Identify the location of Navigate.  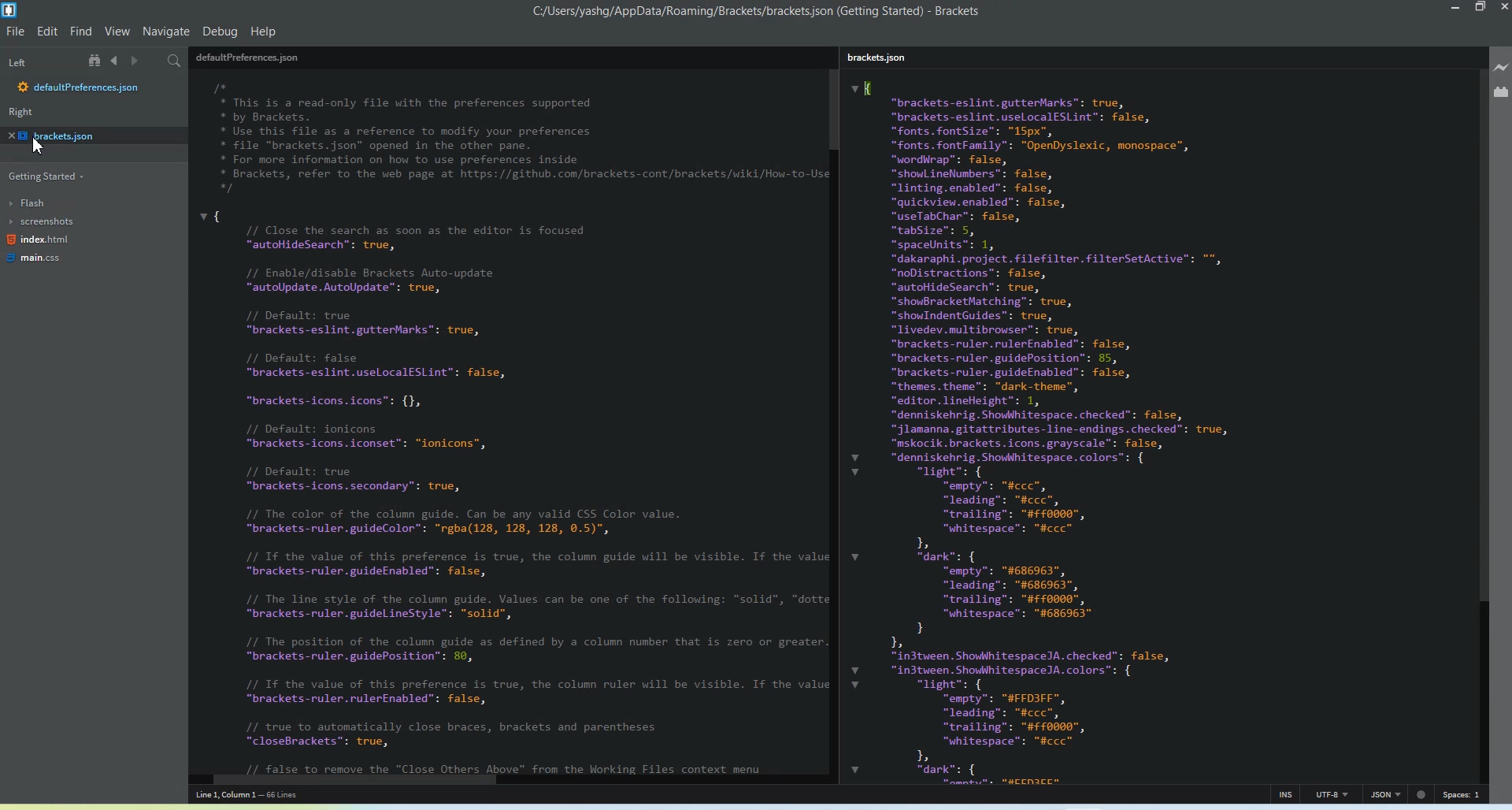
(166, 32).